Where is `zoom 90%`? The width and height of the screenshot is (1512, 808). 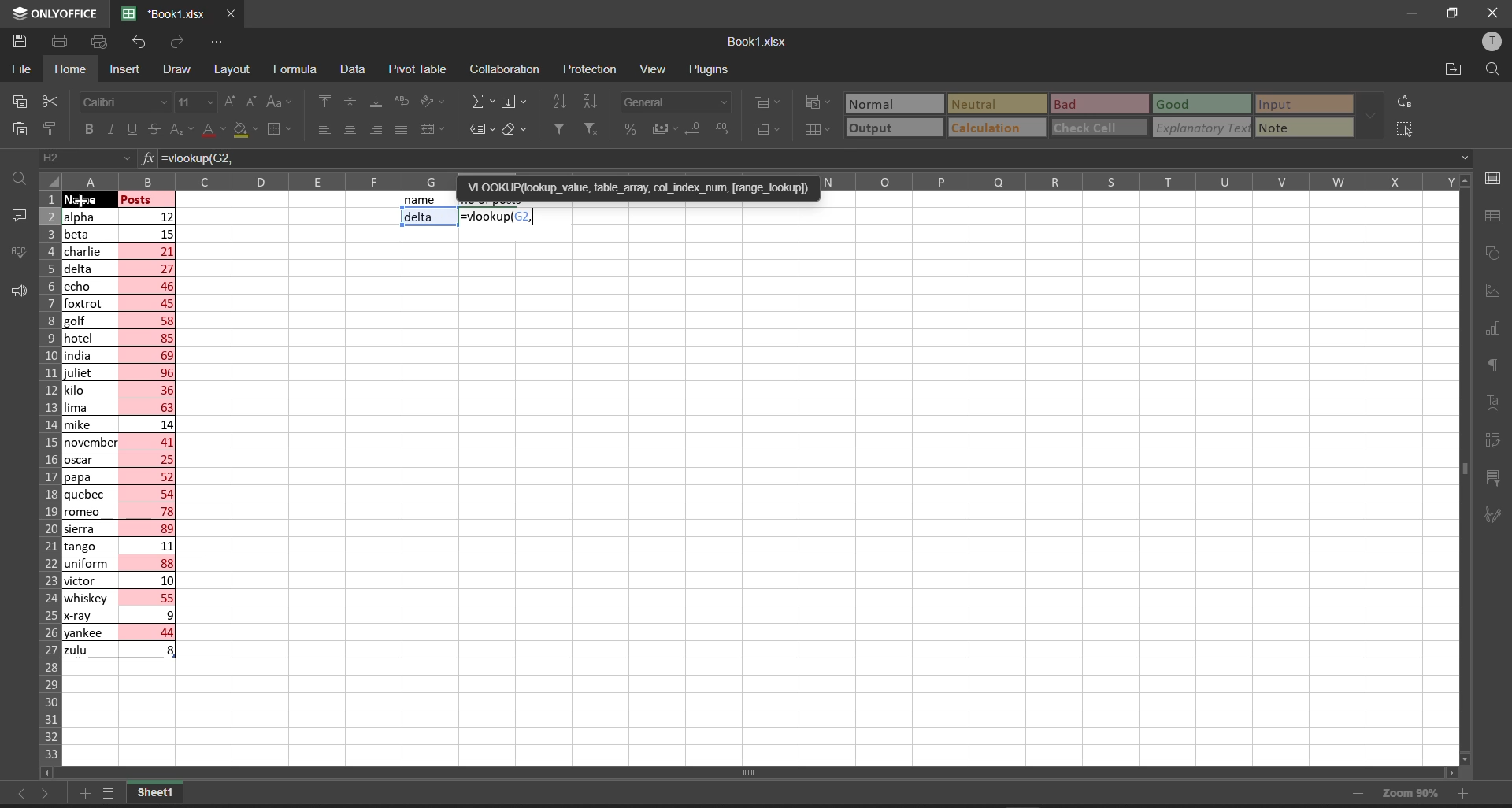 zoom 90% is located at coordinates (1409, 793).